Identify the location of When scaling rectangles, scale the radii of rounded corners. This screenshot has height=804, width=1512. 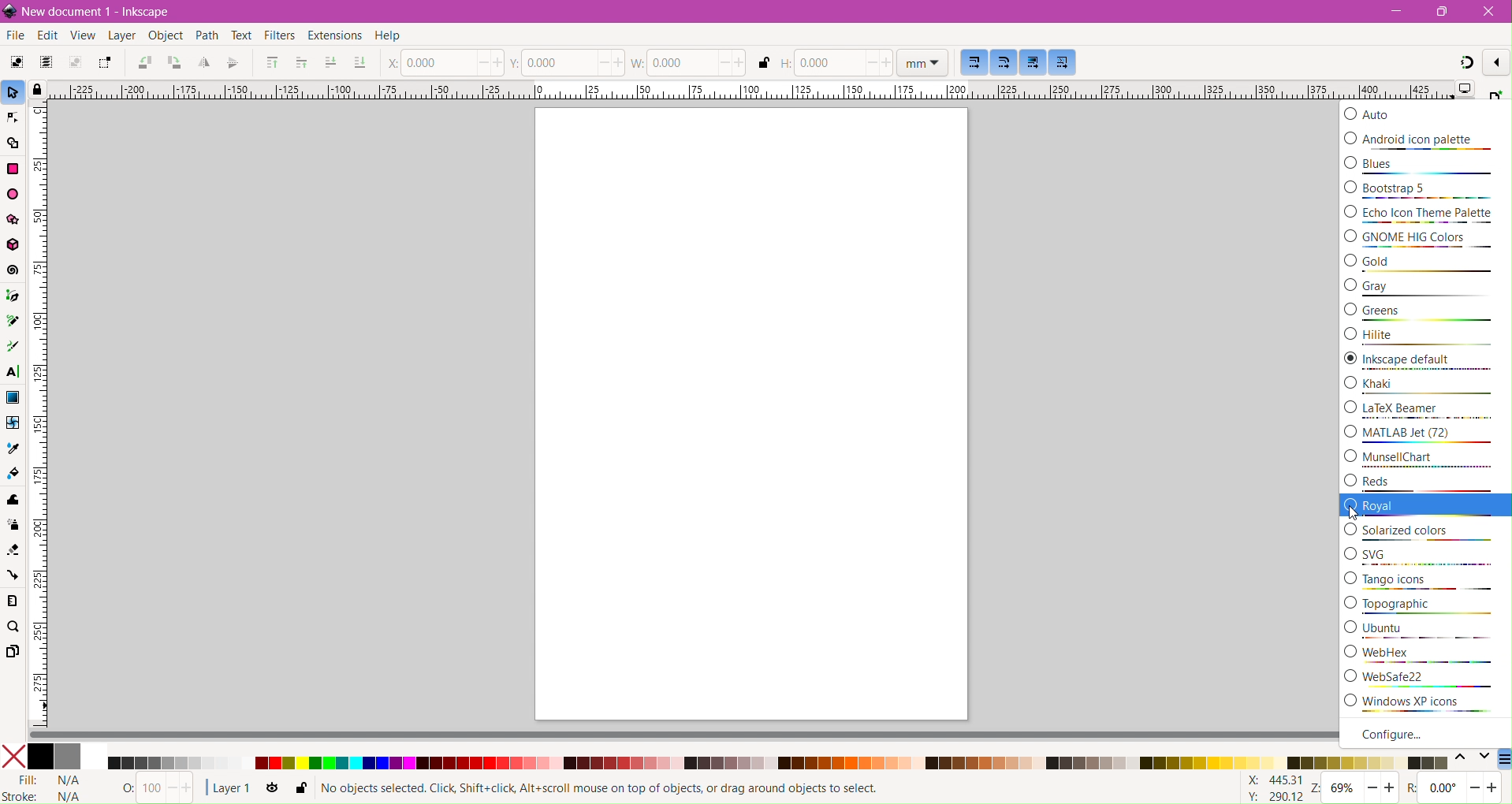
(1004, 61).